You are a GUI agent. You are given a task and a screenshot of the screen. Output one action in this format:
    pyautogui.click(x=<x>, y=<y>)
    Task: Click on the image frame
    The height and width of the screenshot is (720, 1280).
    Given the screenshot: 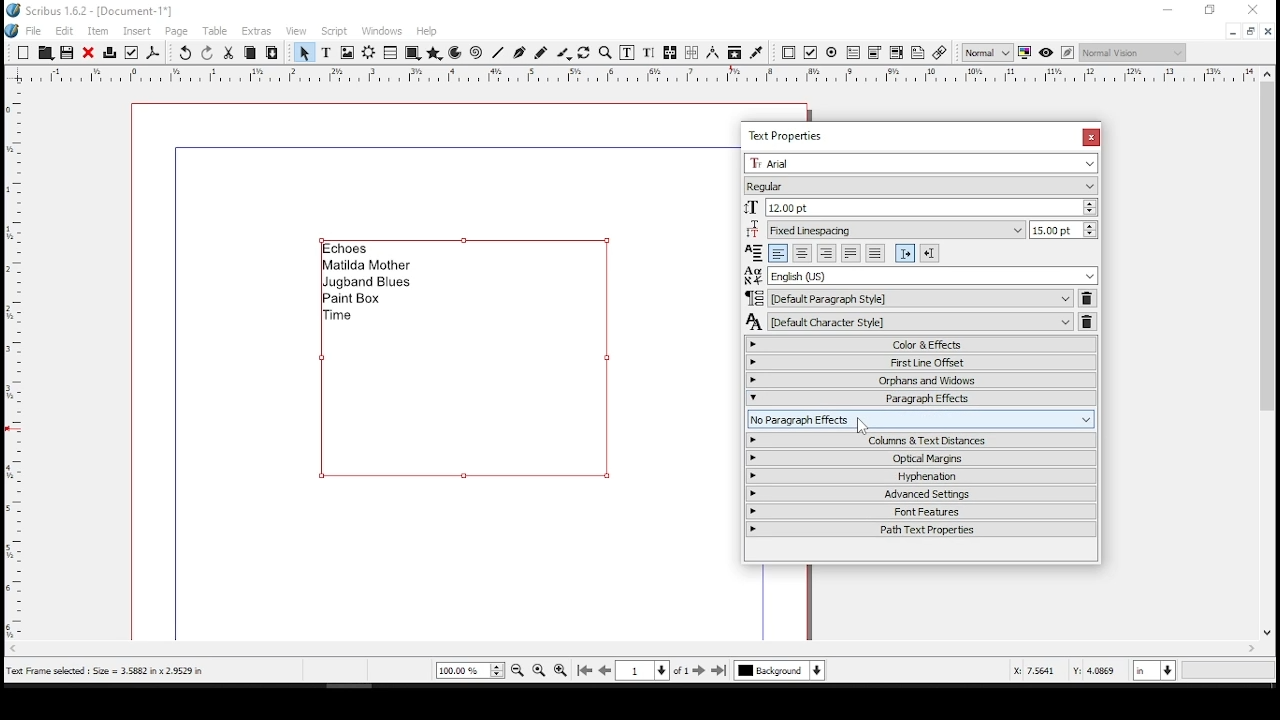 What is the action you would take?
    pyautogui.click(x=347, y=53)
    